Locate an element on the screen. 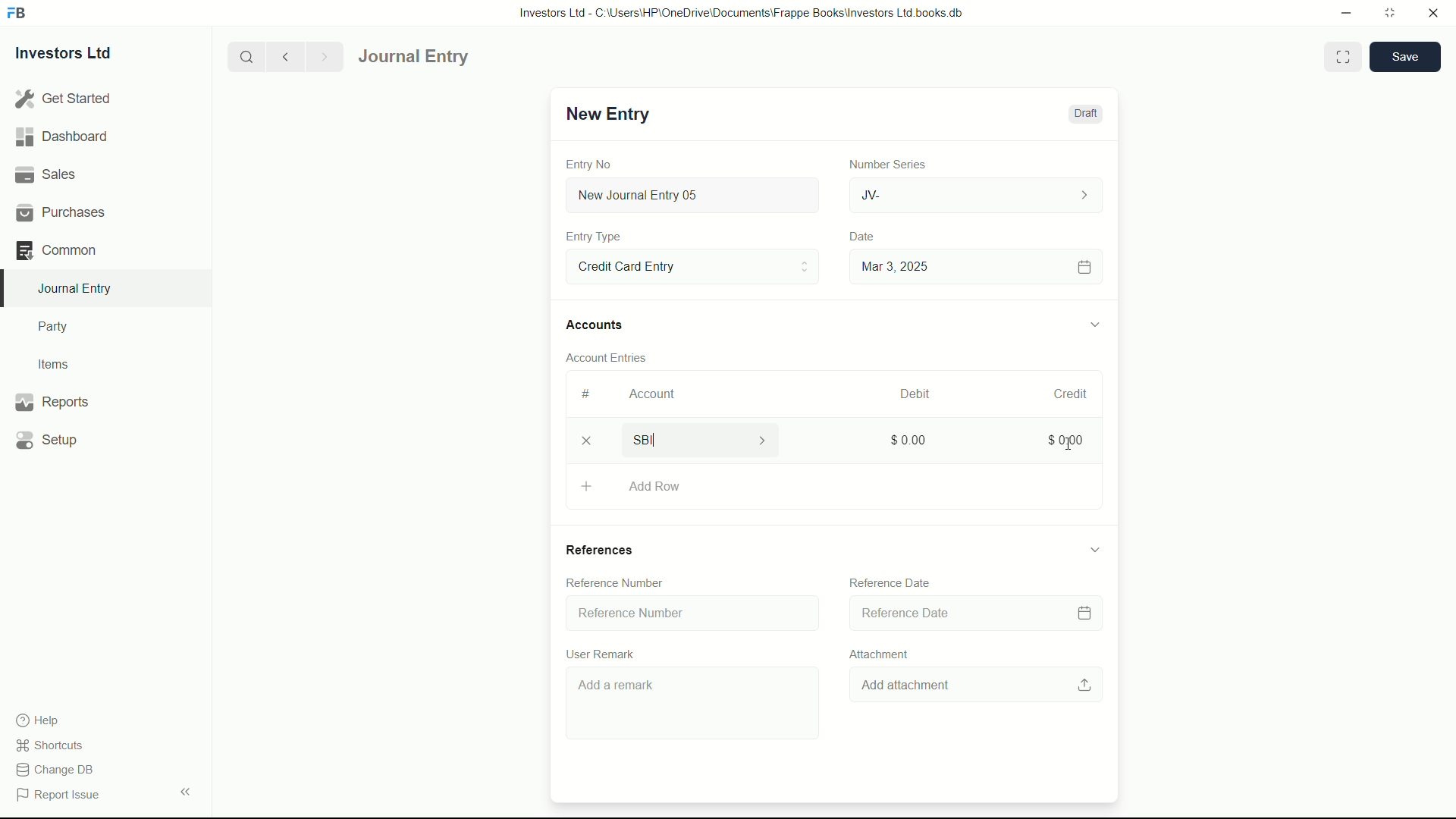 The height and width of the screenshot is (819, 1456). # is located at coordinates (587, 394).